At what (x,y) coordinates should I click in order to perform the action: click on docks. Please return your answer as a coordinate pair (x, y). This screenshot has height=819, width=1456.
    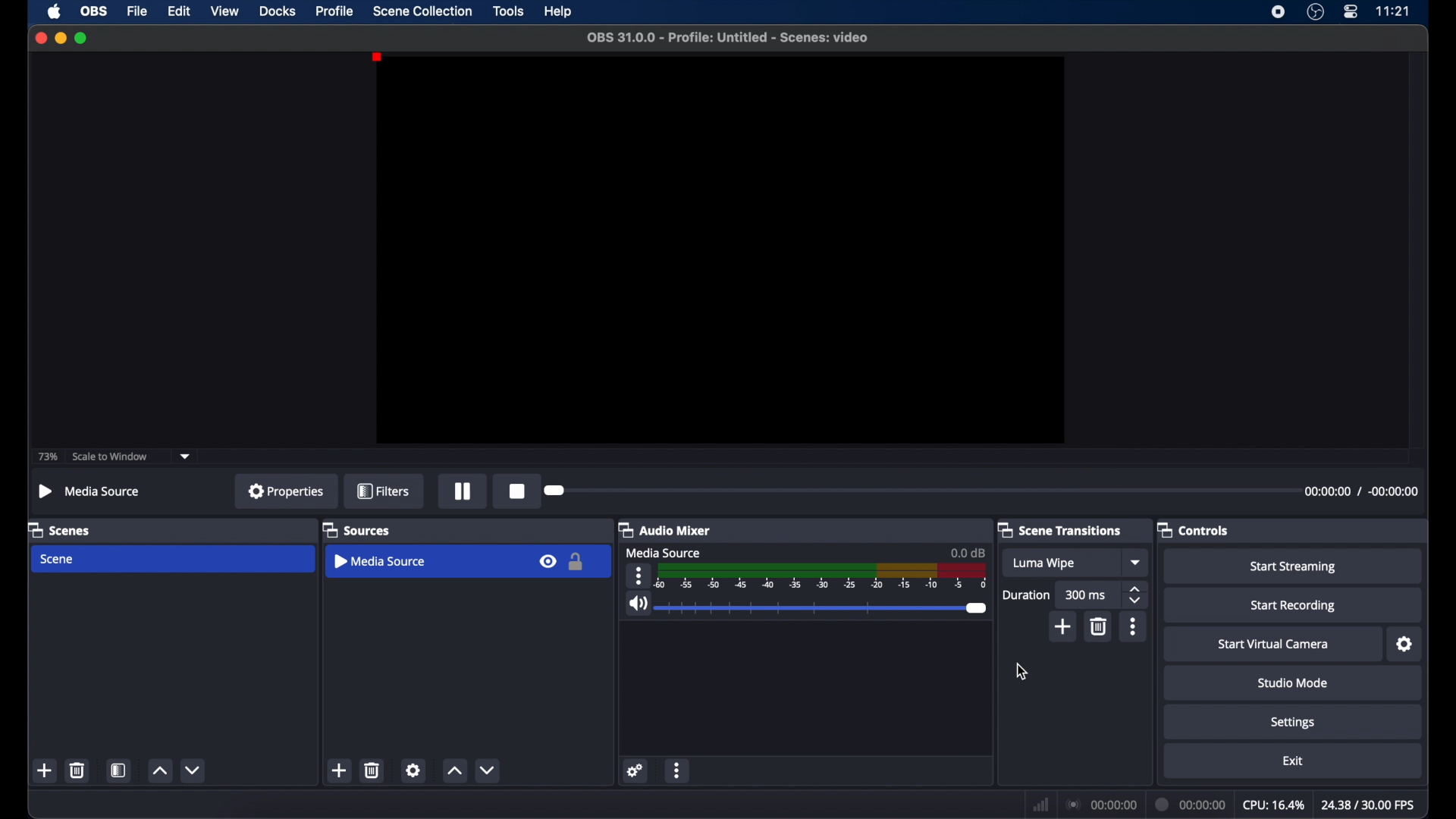
    Looking at the image, I should click on (278, 11).